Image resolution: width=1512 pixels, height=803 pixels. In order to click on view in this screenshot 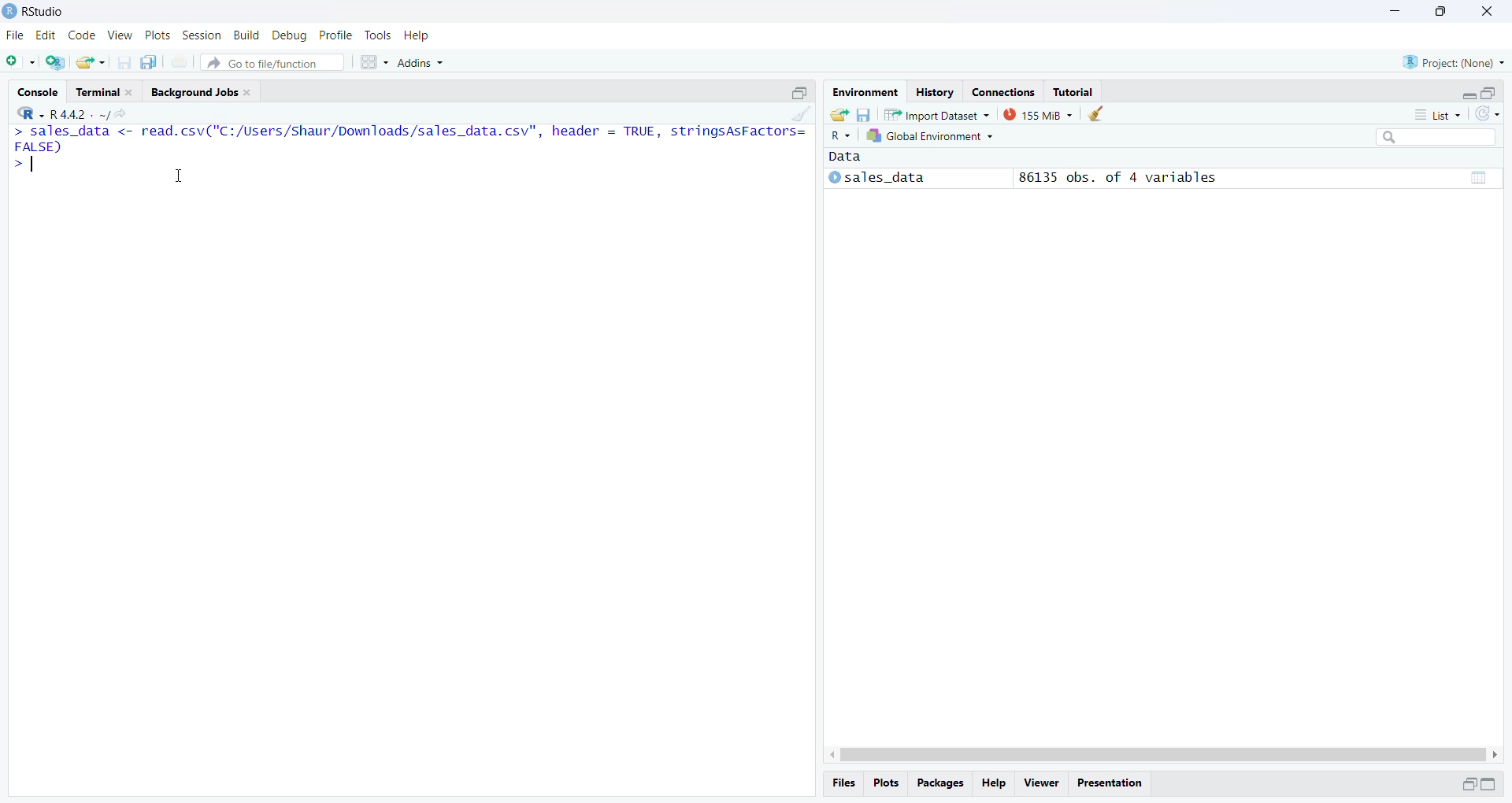, I will do `click(124, 35)`.